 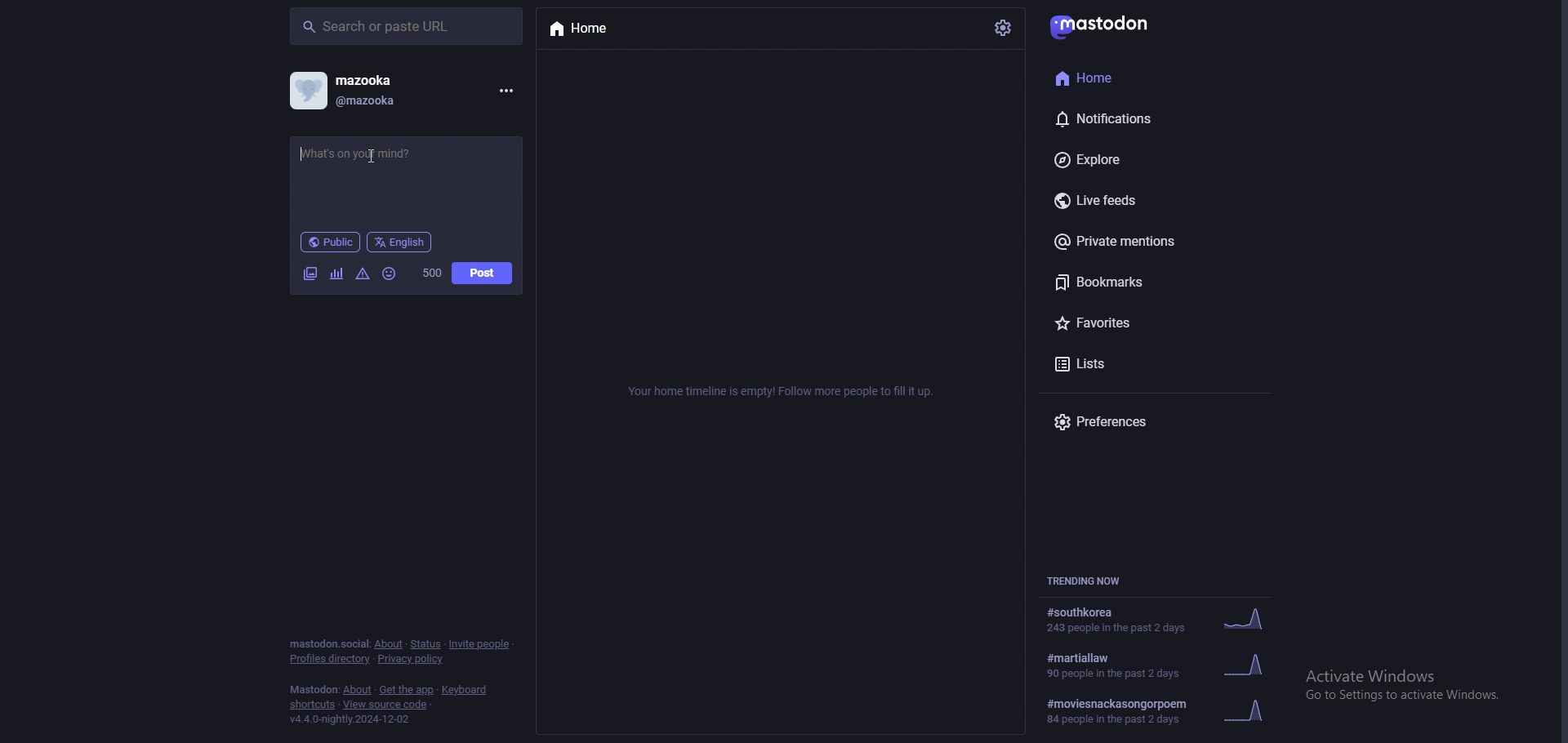 I want to click on mastodon, so click(x=314, y=689).